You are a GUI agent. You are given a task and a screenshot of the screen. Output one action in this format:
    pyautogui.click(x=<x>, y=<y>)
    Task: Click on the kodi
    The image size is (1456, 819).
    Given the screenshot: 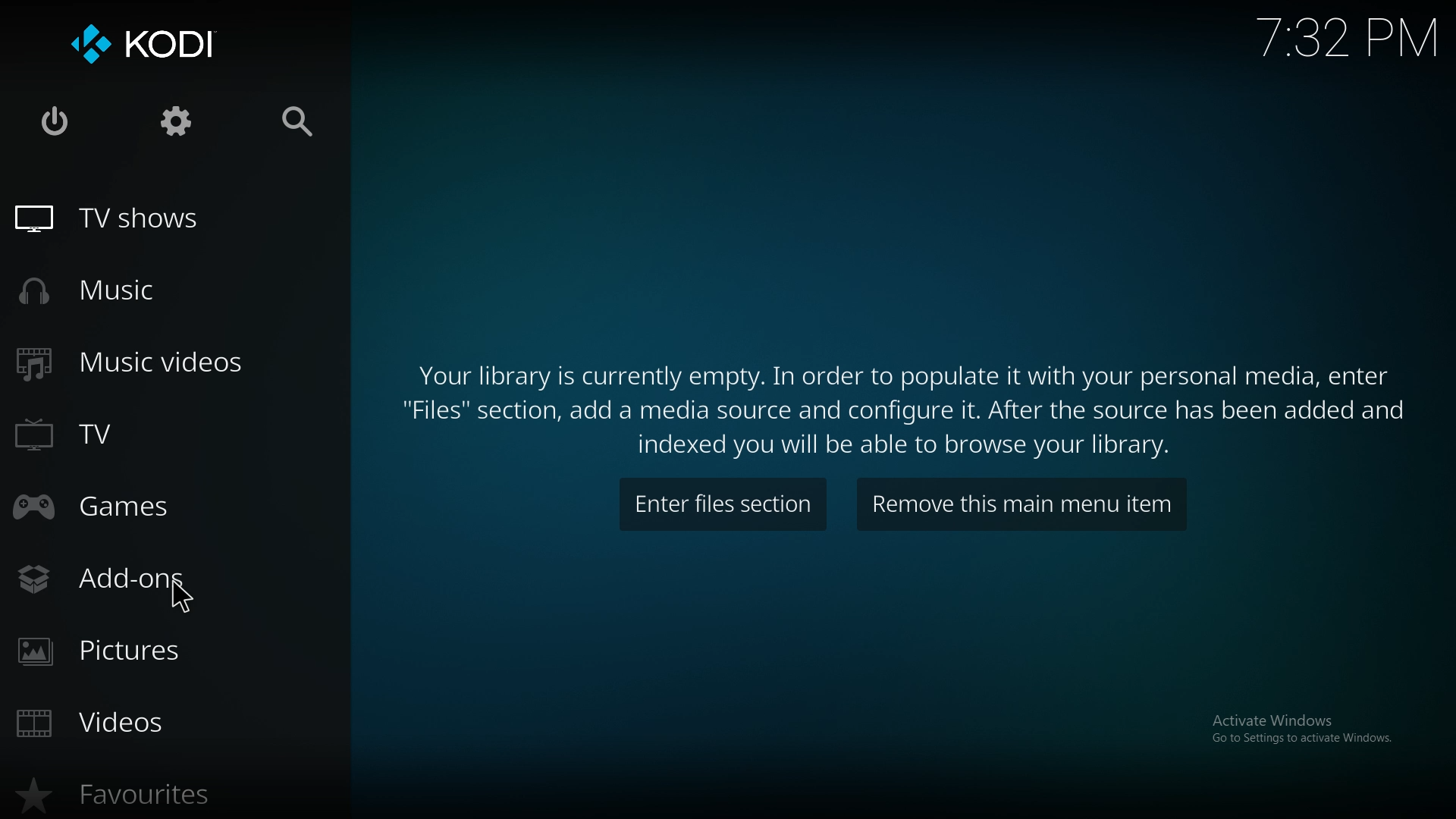 What is the action you would take?
    pyautogui.click(x=142, y=47)
    